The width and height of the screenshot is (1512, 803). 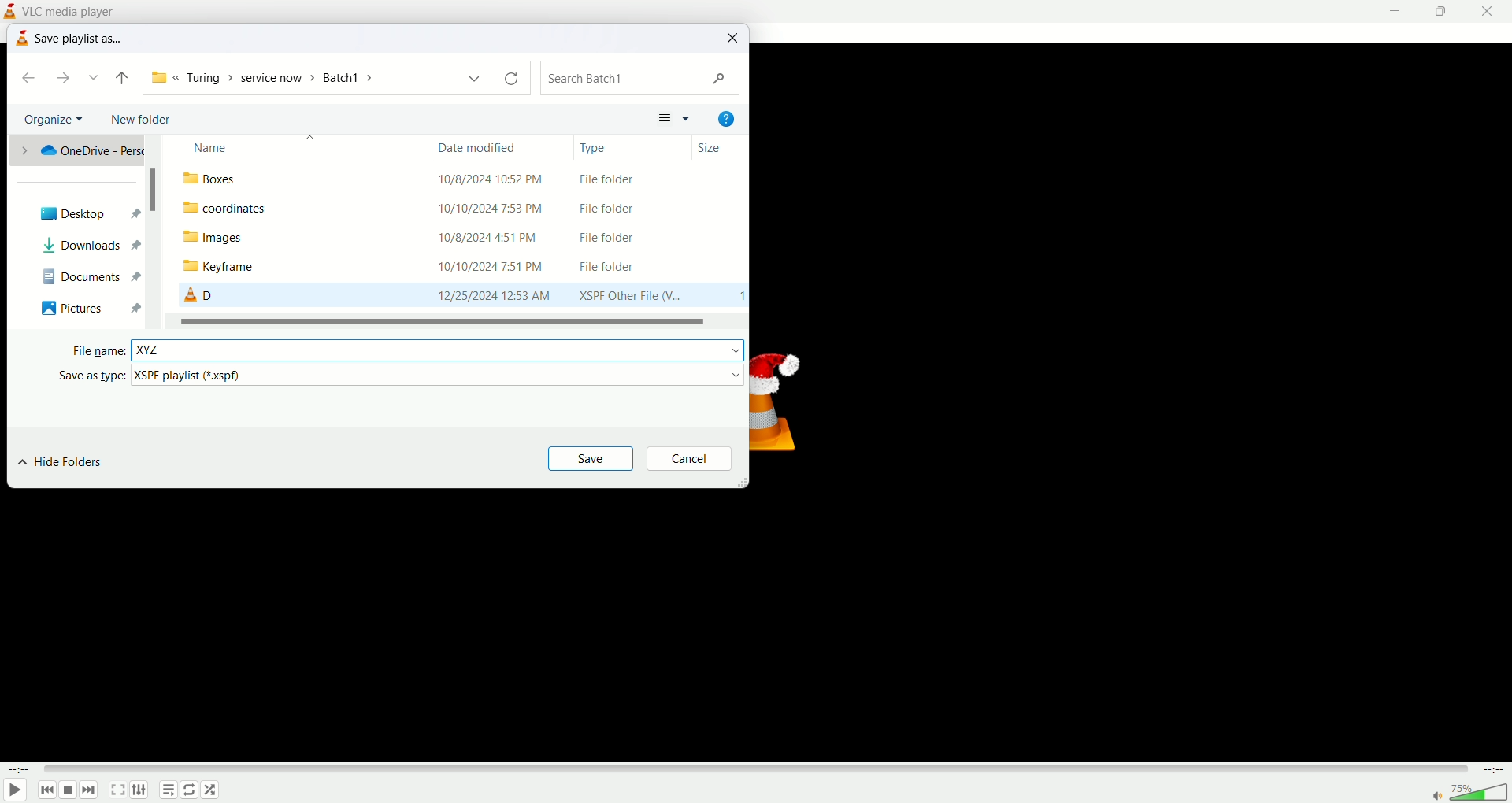 What do you see at coordinates (710, 147) in the screenshot?
I see `size` at bounding box center [710, 147].